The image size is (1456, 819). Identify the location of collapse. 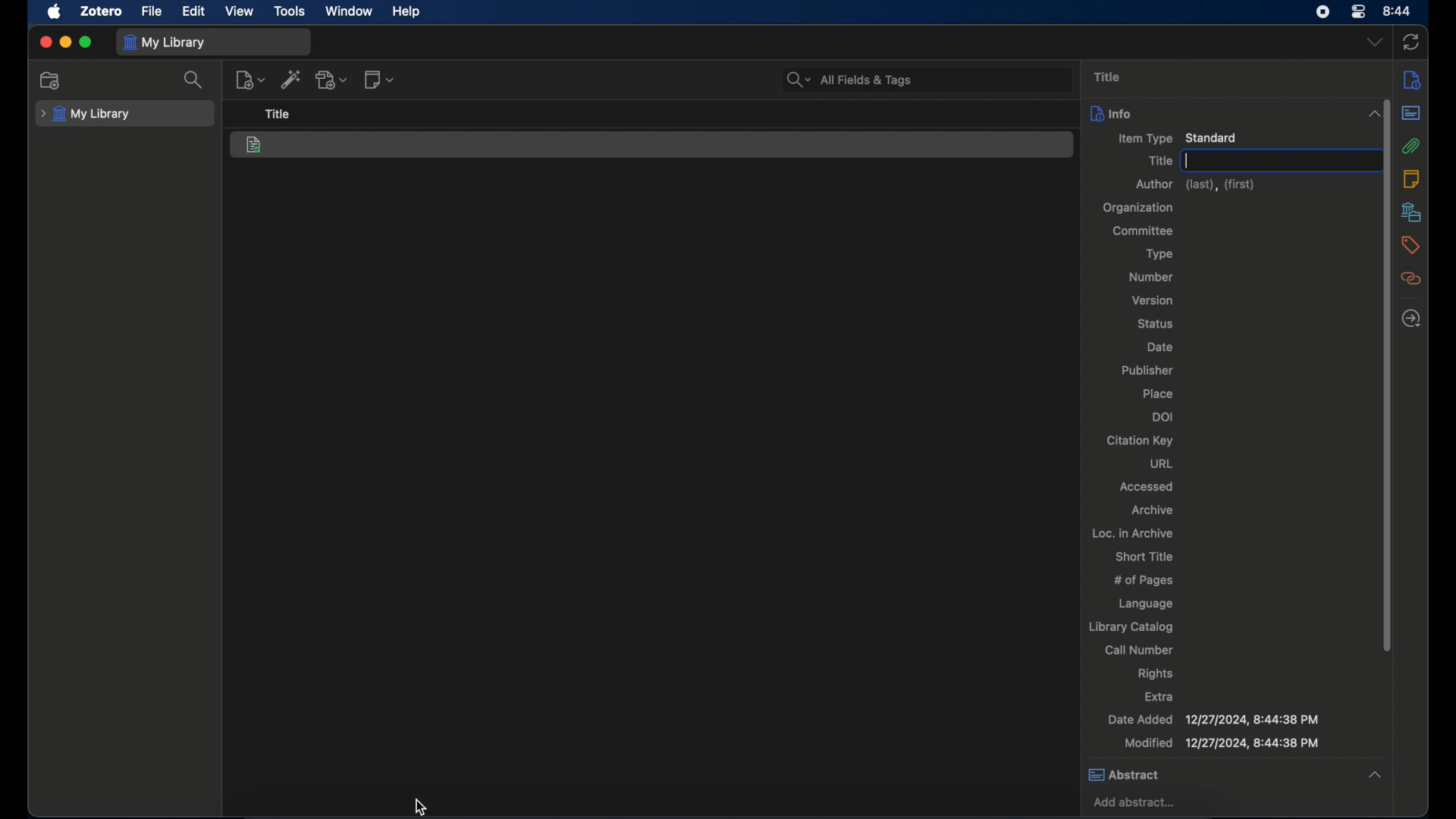
(1375, 776).